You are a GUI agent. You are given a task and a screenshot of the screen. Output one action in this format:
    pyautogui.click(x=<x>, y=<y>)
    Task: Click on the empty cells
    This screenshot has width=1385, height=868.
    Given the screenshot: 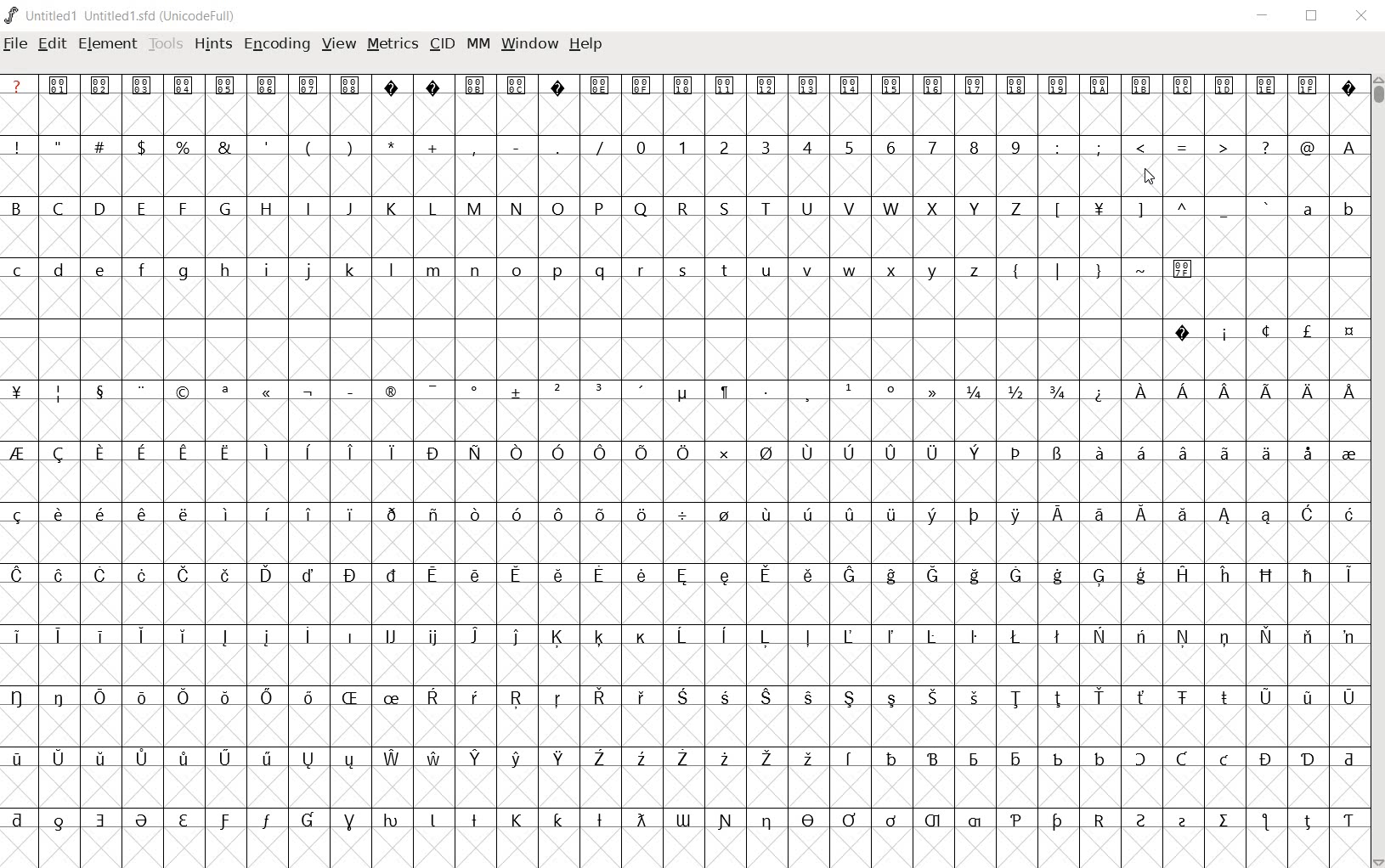 What is the action you would take?
    pyautogui.click(x=681, y=846)
    